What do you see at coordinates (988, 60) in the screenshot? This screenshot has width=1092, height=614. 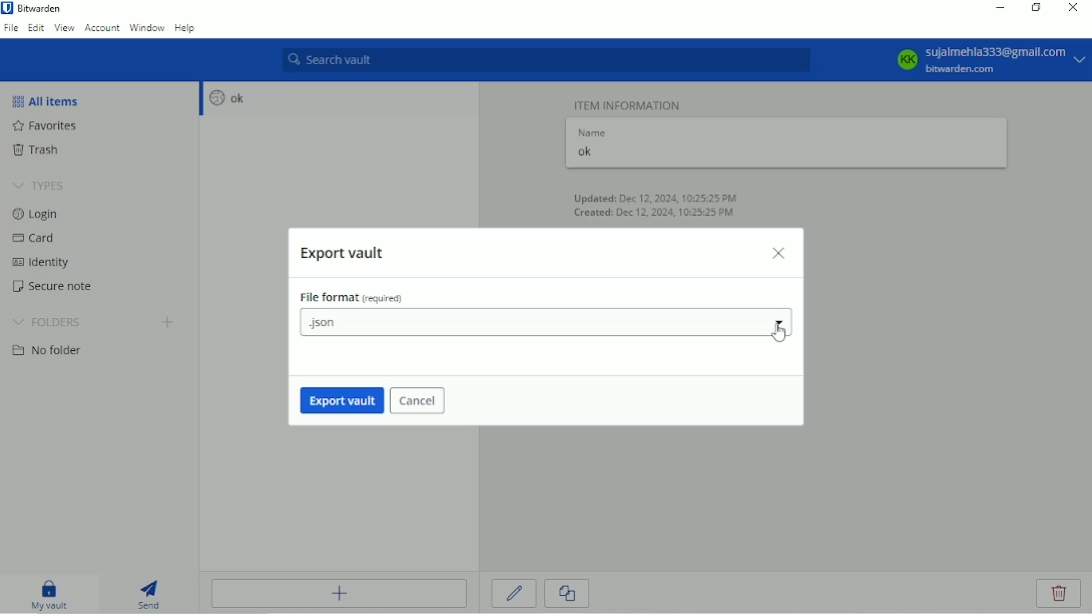 I see `KK sujalmehla333@gmail.com       bitwarden.com` at bounding box center [988, 60].